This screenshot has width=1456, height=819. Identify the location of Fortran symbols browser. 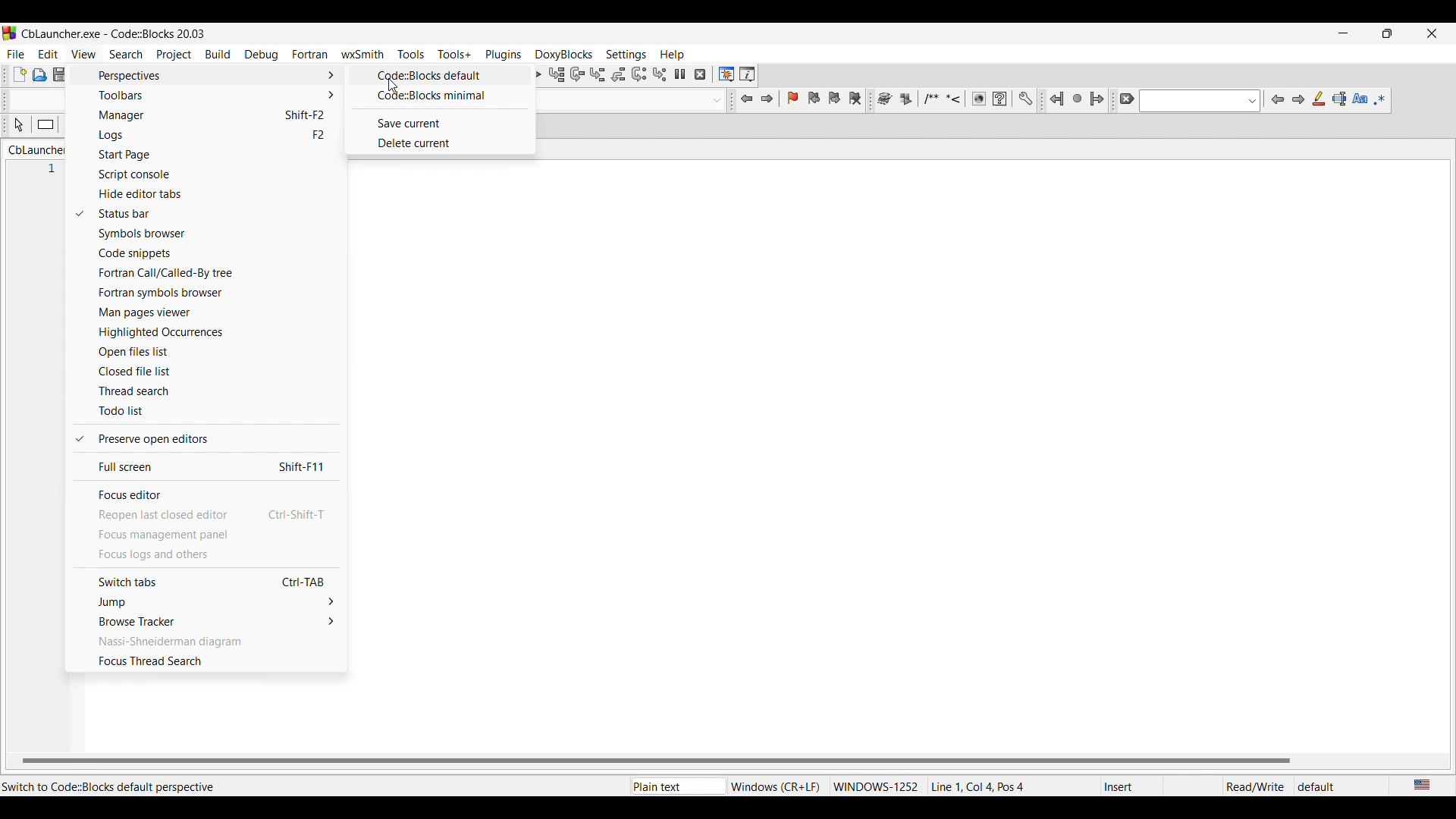
(218, 293).